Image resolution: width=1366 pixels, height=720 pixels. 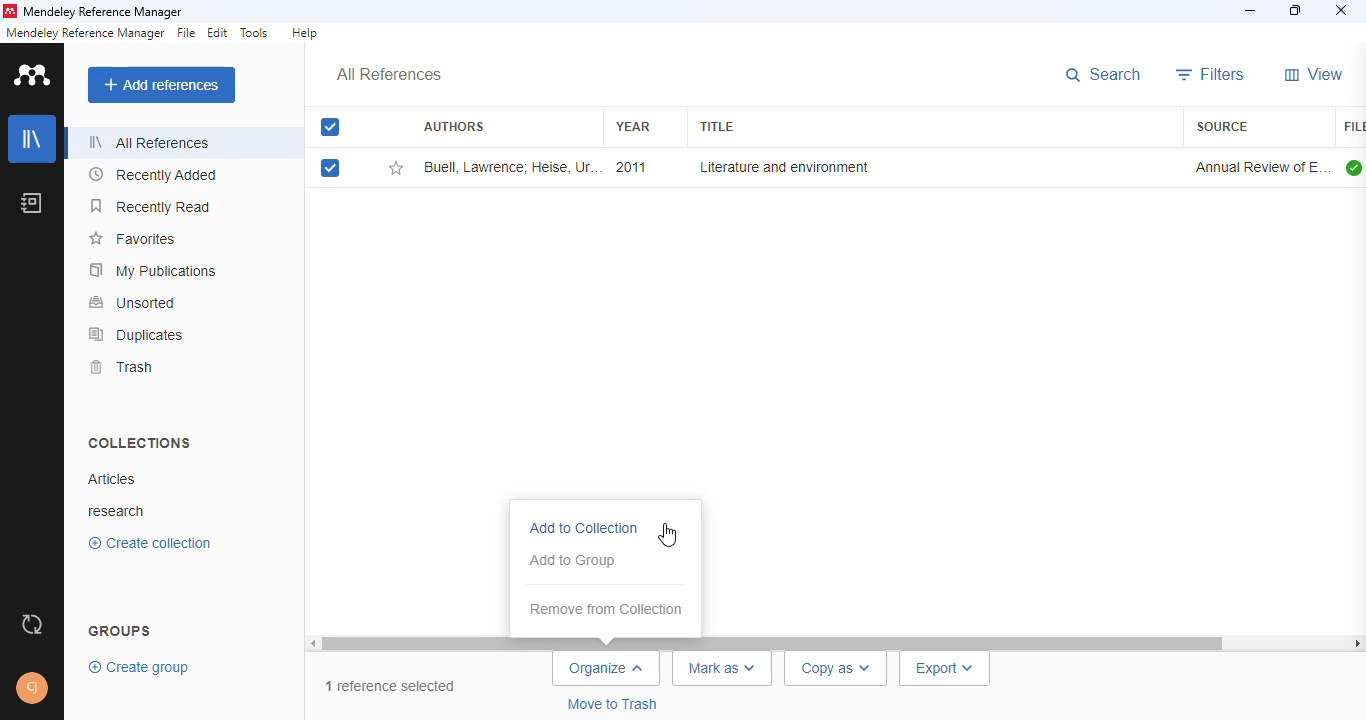 What do you see at coordinates (775, 642) in the screenshot?
I see `horizontal scroll bar` at bounding box center [775, 642].